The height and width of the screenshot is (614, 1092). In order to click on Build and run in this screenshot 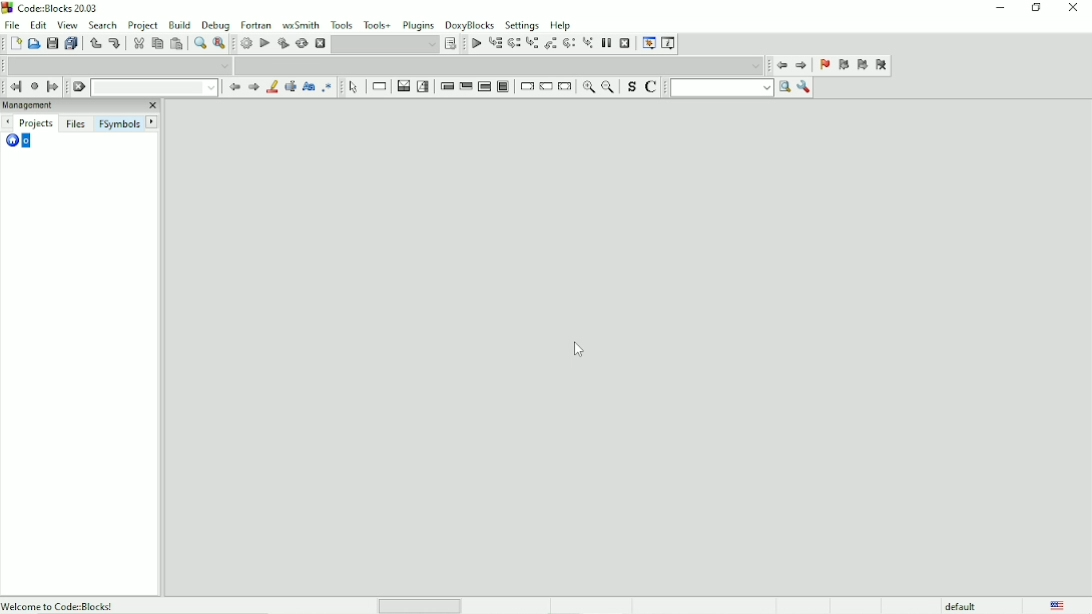, I will do `click(282, 43)`.